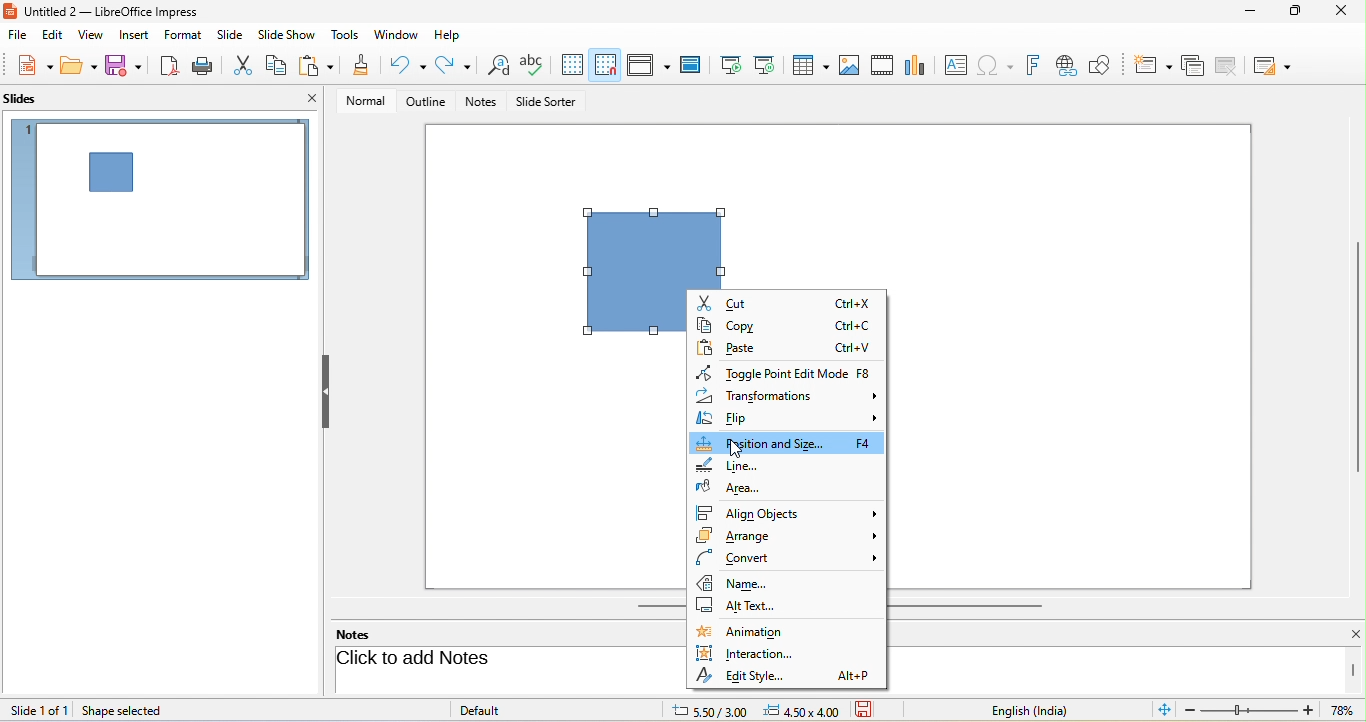  What do you see at coordinates (786, 558) in the screenshot?
I see `convert` at bounding box center [786, 558].